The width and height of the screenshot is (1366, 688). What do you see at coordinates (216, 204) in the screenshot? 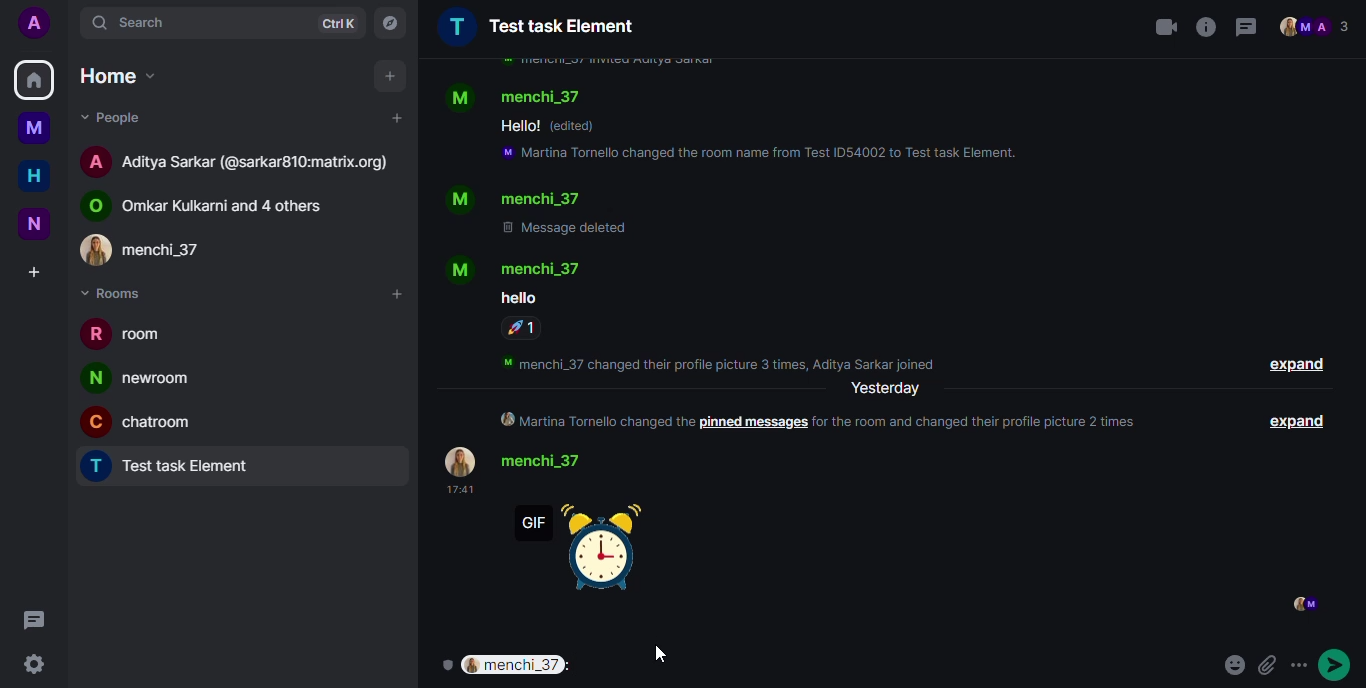
I see `contact` at bounding box center [216, 204].